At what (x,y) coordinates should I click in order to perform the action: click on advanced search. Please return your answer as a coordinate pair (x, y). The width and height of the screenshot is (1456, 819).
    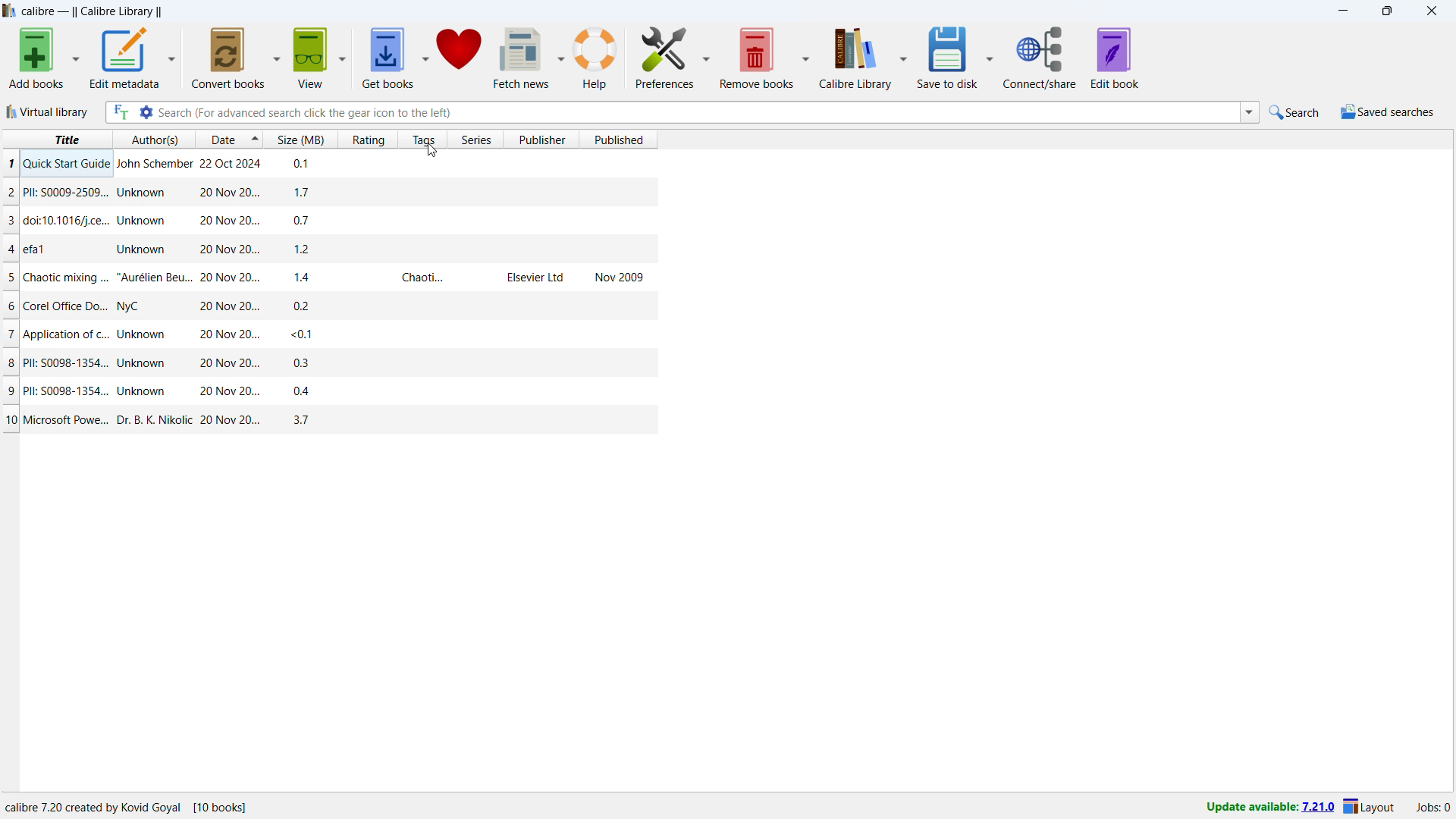
    Looking at the image, I should click on (146, 111).